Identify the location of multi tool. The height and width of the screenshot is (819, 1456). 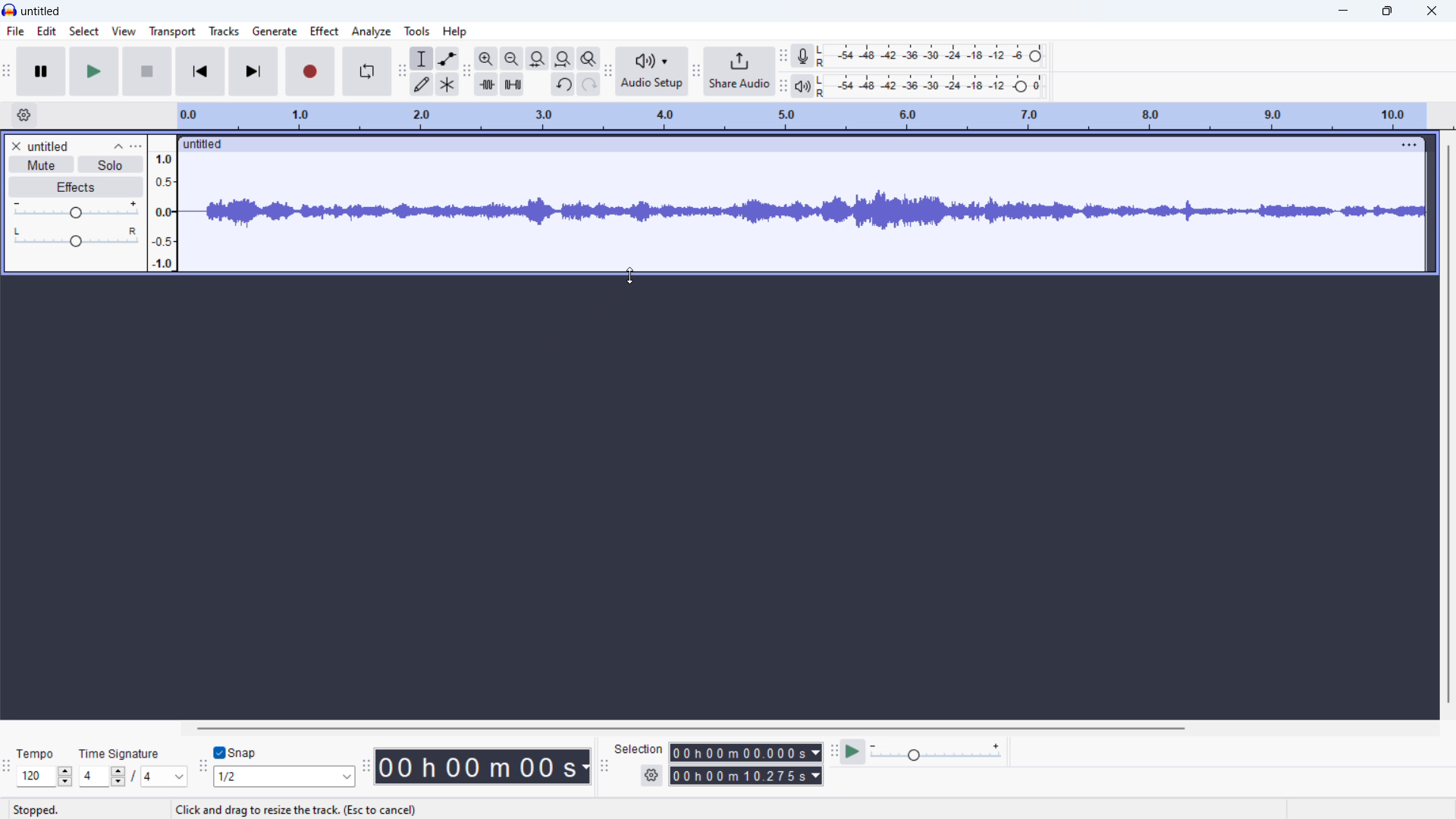
(447, 84).